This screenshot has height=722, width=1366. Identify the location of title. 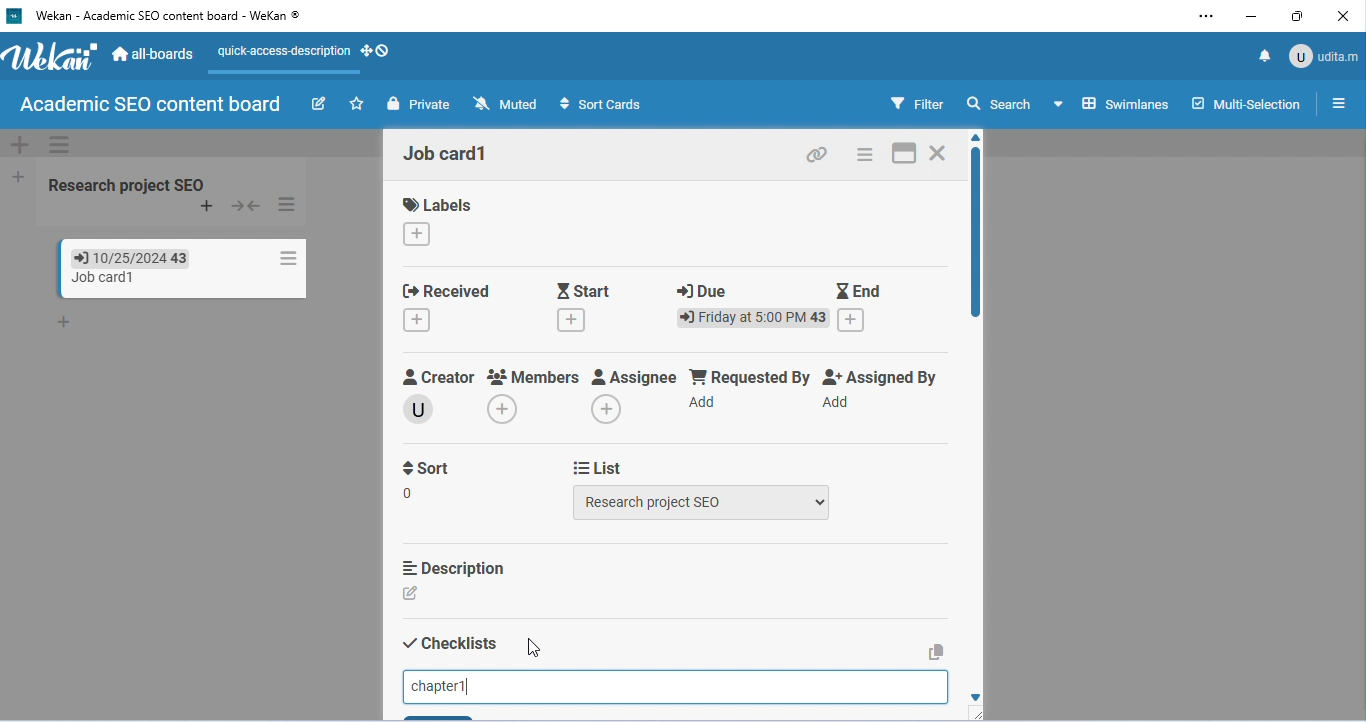
(160, 17).